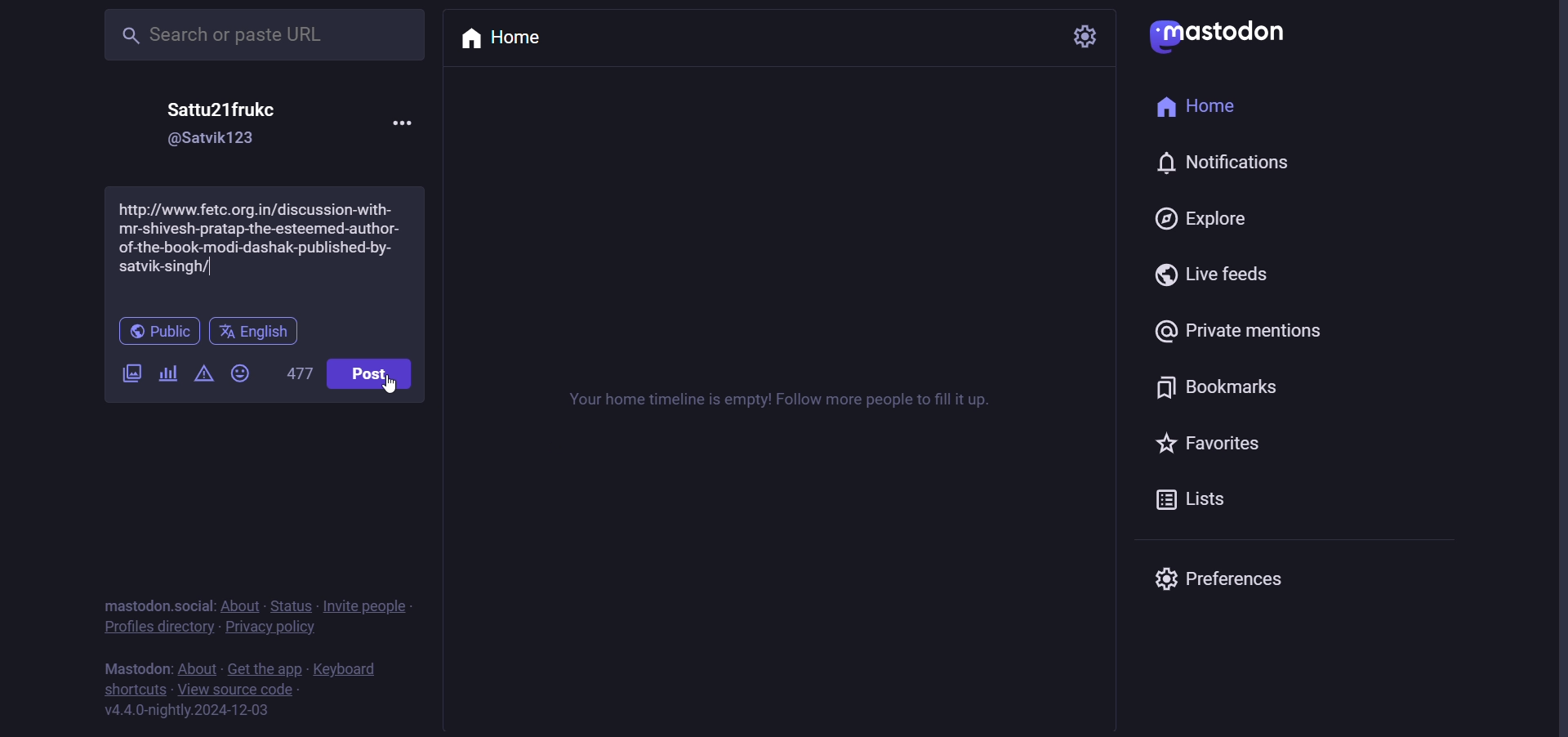  Describe the element at coordinates (155, 331) in the screenshot. I see `public` at that location.